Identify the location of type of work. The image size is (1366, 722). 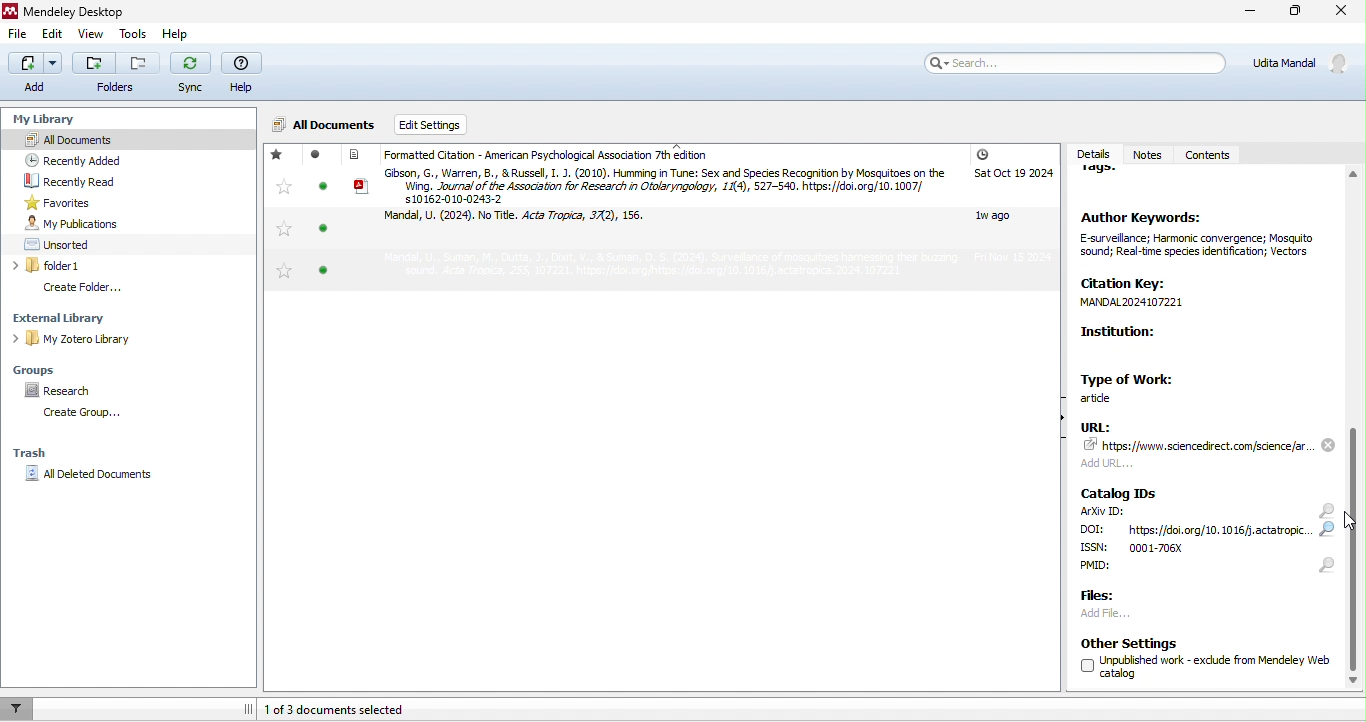
(1136, 386).